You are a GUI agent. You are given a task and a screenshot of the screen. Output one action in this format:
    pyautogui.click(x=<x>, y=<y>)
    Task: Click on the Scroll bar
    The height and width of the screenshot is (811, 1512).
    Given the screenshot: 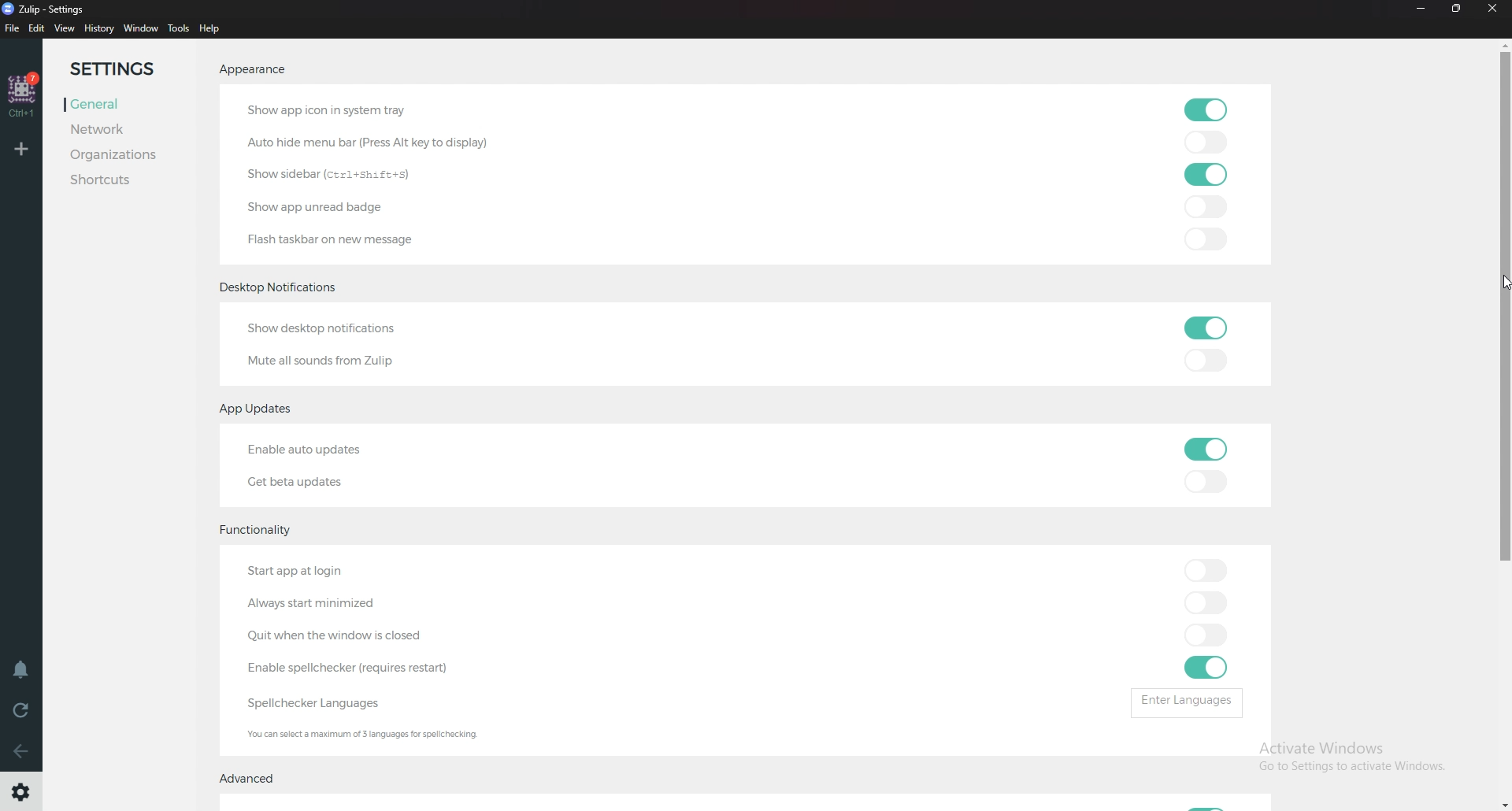 What is the action you would take?
    pyautogui.click(x=1504, y=422)
    